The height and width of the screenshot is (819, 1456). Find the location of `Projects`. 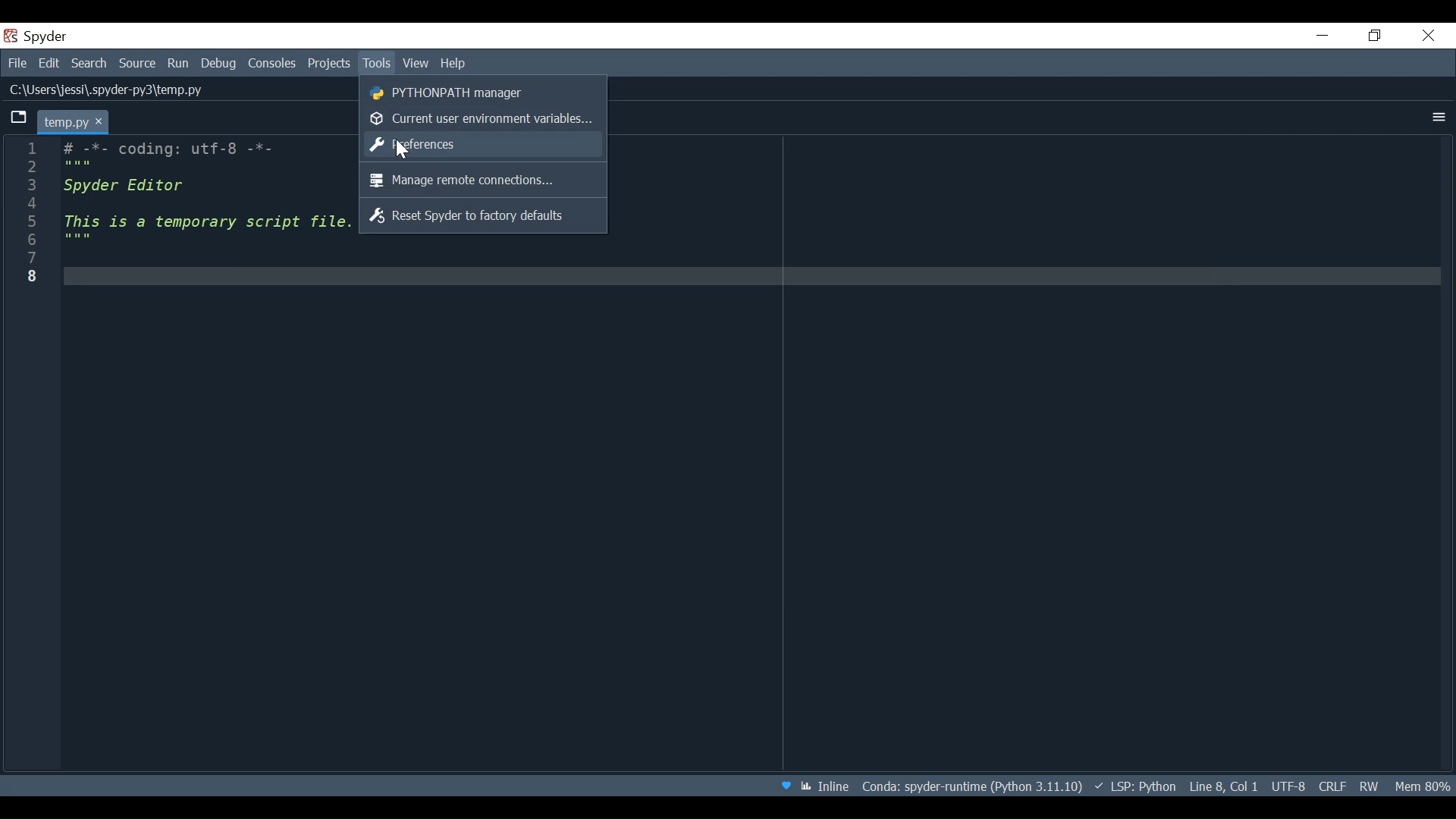

Projects is located at coordinates (329, 64).